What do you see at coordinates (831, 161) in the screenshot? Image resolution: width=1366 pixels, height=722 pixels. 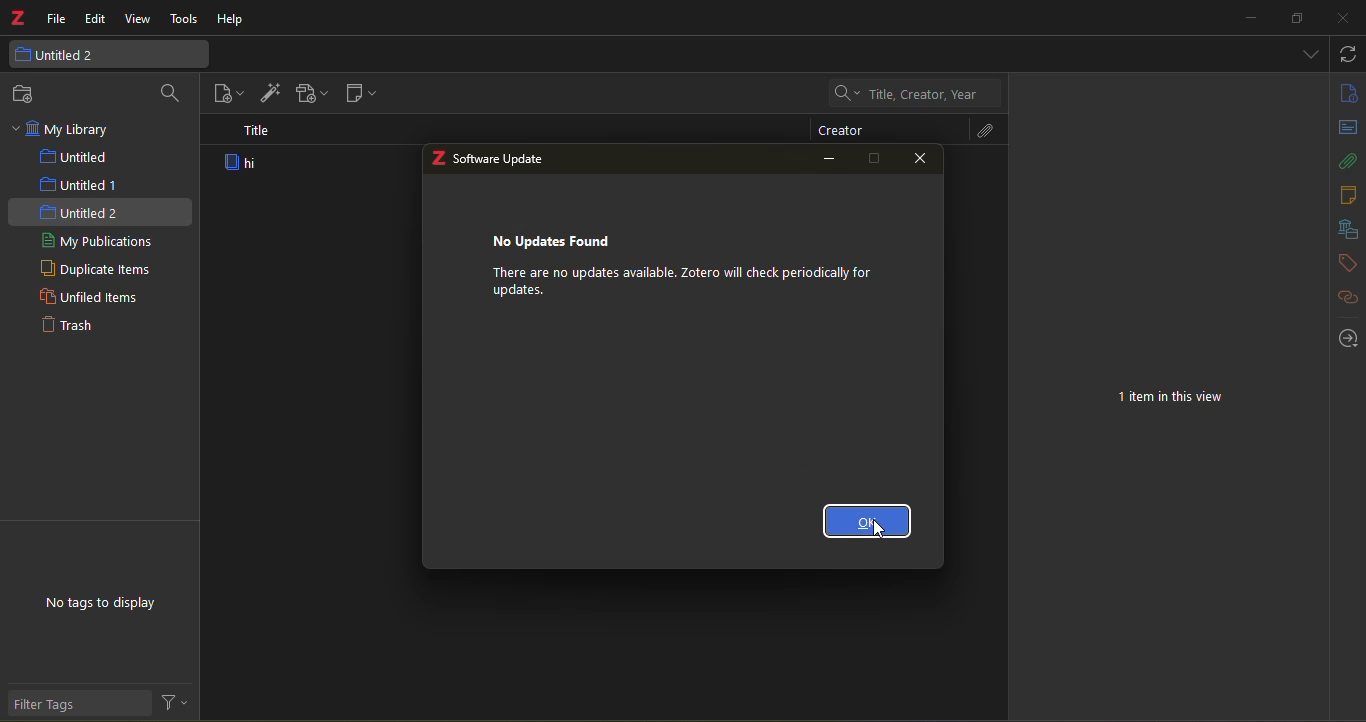 I see `minimize` at bounding box center [831, 161].